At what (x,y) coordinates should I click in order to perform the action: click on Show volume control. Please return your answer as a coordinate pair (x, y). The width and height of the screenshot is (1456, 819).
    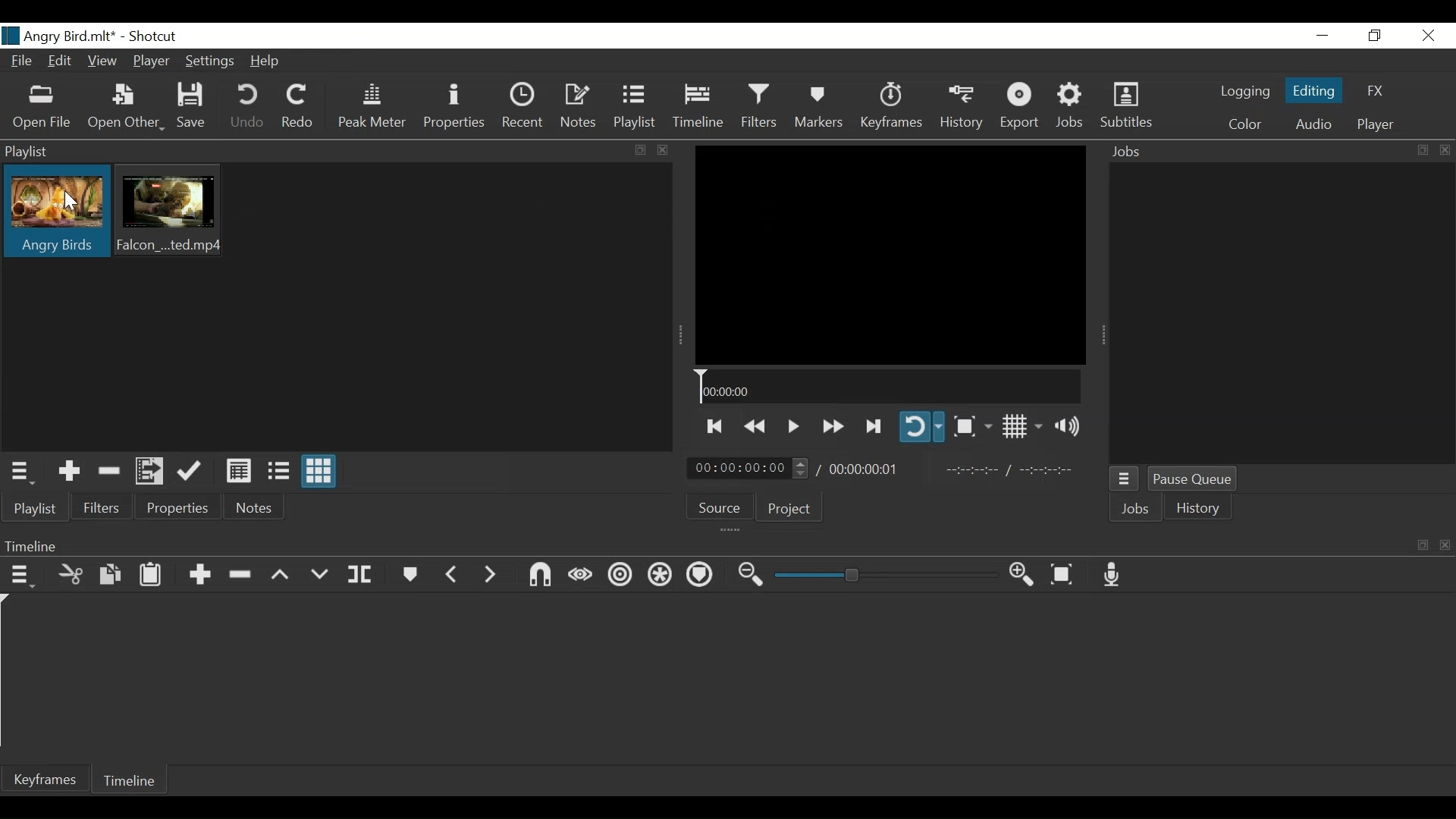
    Looking at the image, I should click on (1070, 427).